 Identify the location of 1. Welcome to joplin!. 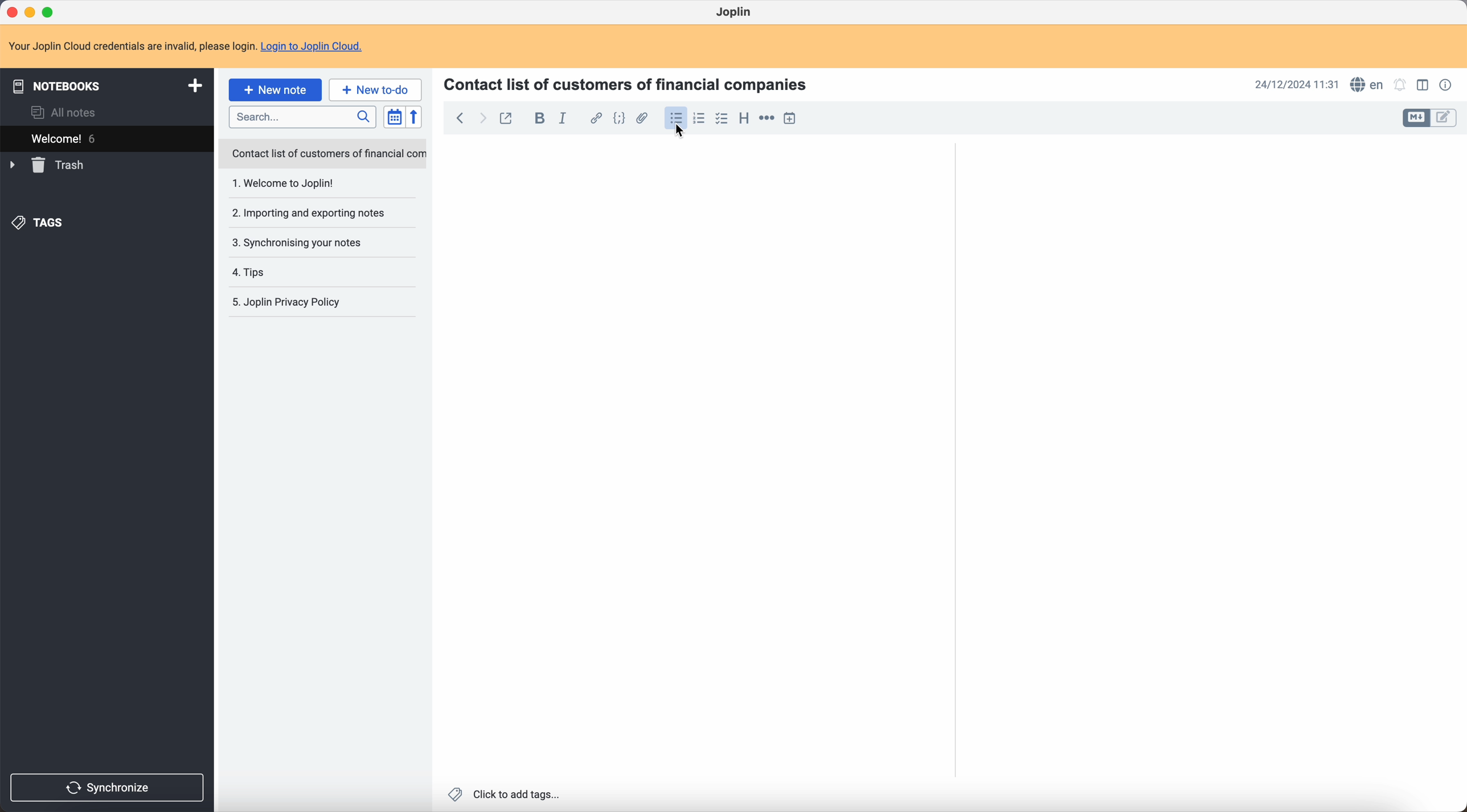
(310, 184).